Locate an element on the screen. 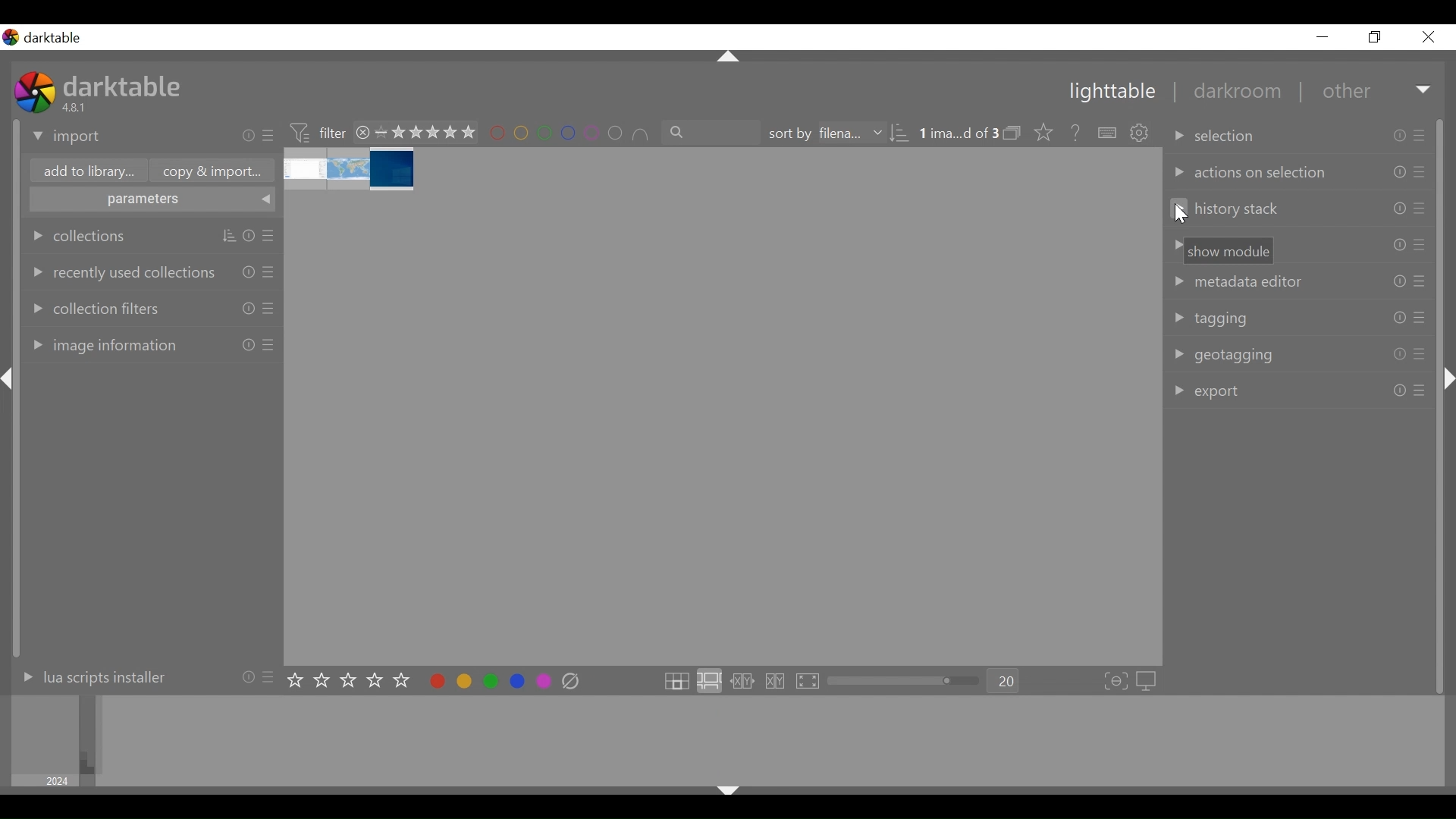  actions on selection is located at coordinates (1249, 173).